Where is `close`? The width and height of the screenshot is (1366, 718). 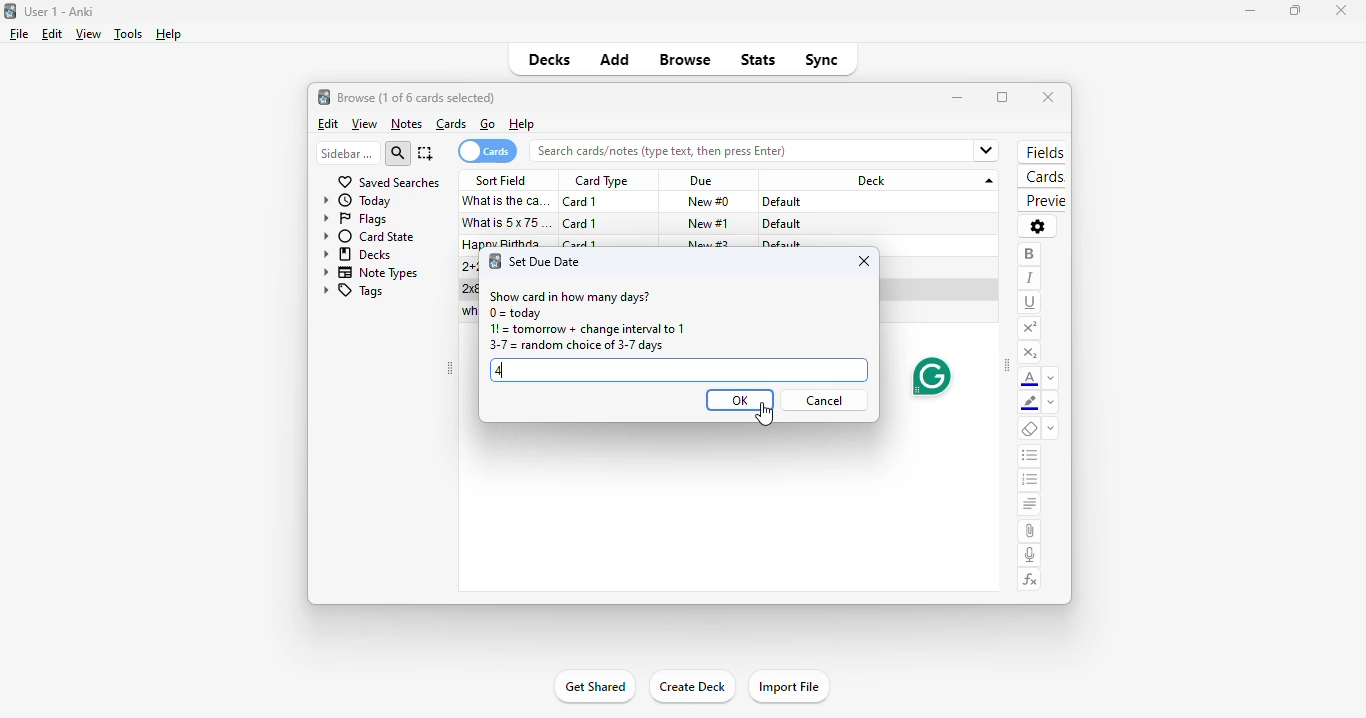 close is located at coordinates (864, 261).